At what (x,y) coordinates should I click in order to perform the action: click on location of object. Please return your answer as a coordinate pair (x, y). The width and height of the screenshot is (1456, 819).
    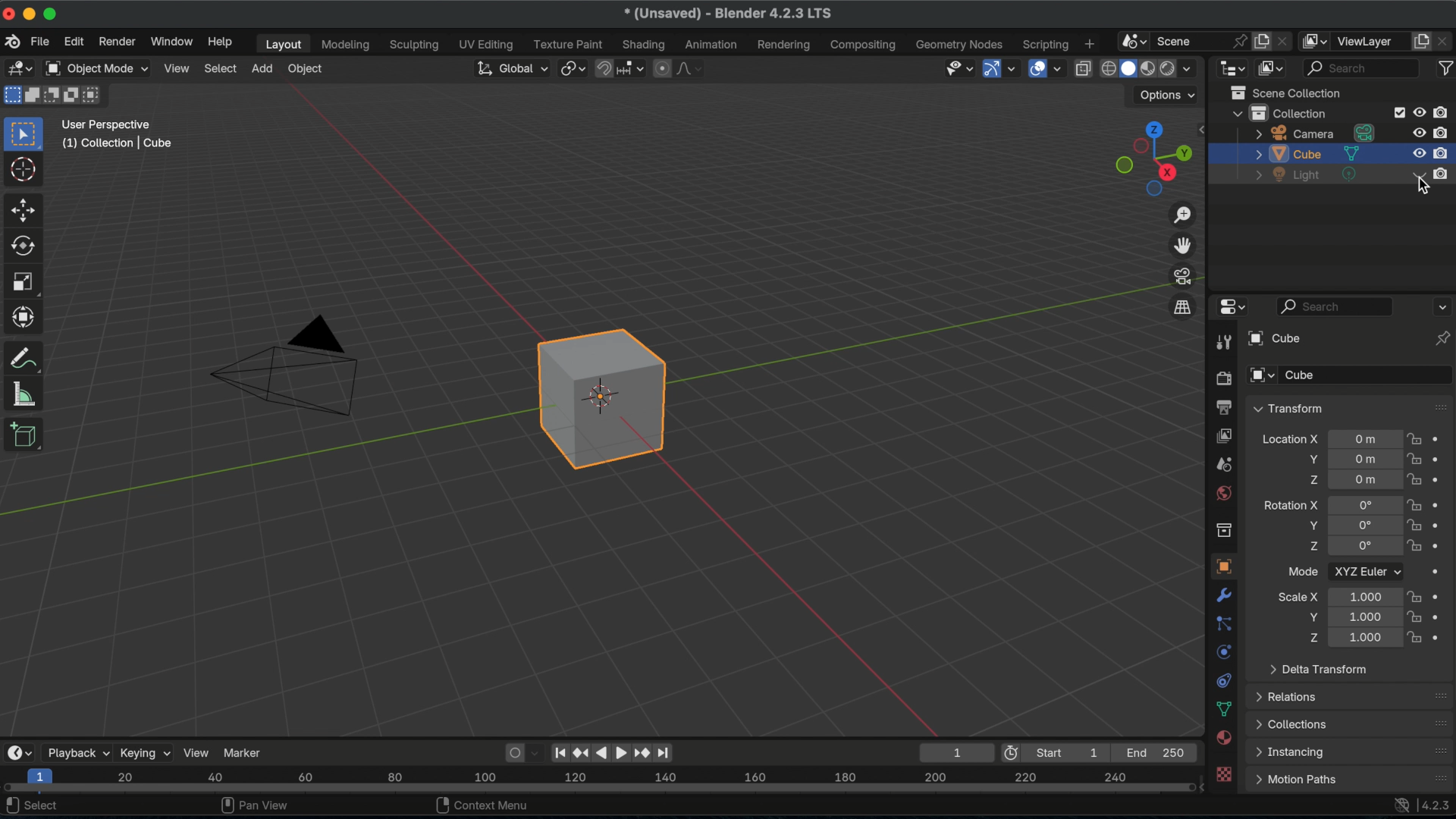
    Looking at the image, I should click on (1364, 459).